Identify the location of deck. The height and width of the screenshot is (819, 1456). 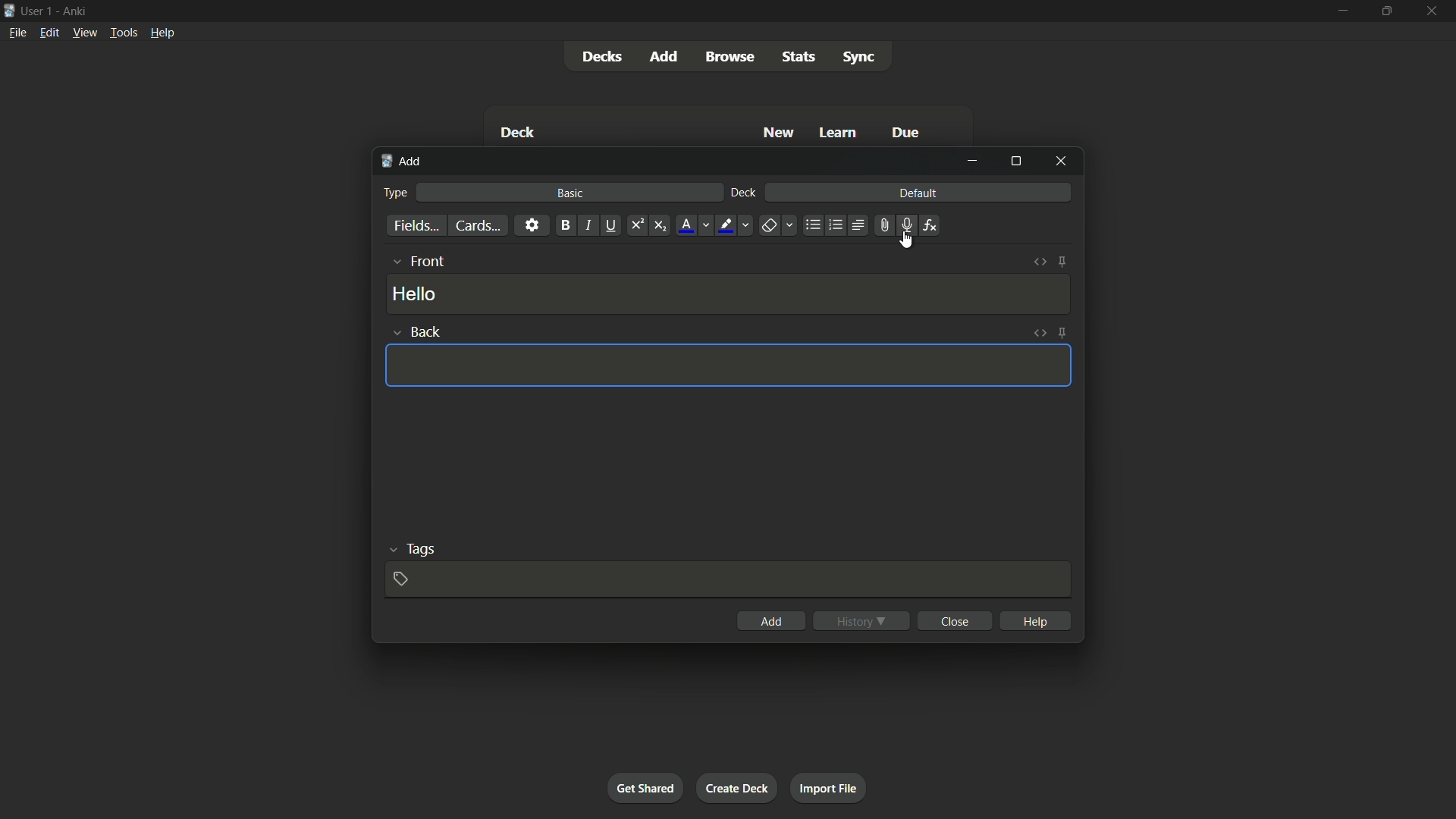
(743, 192).